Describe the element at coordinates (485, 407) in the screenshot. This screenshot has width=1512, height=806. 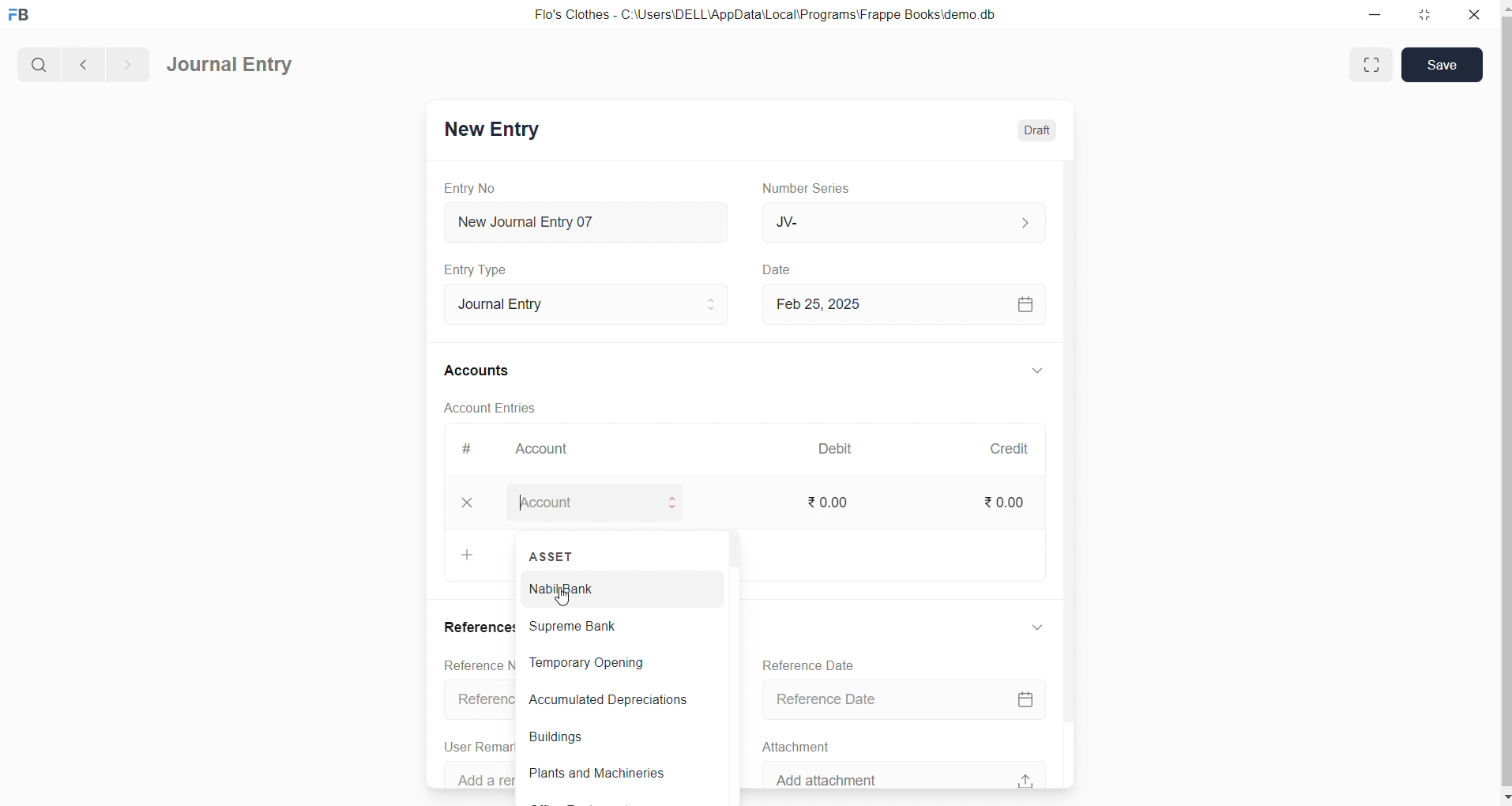
I see `Account Entries` at that location.